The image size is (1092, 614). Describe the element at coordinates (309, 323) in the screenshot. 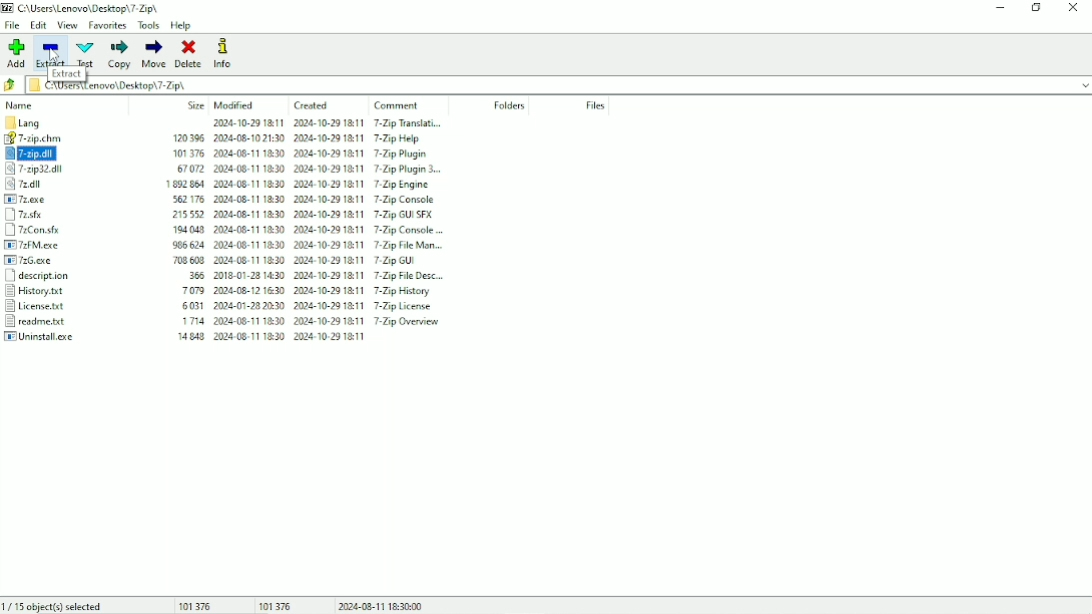

I see `104 006-08-1N1EN 26-00-9121 7~Lp Overview` at that location.